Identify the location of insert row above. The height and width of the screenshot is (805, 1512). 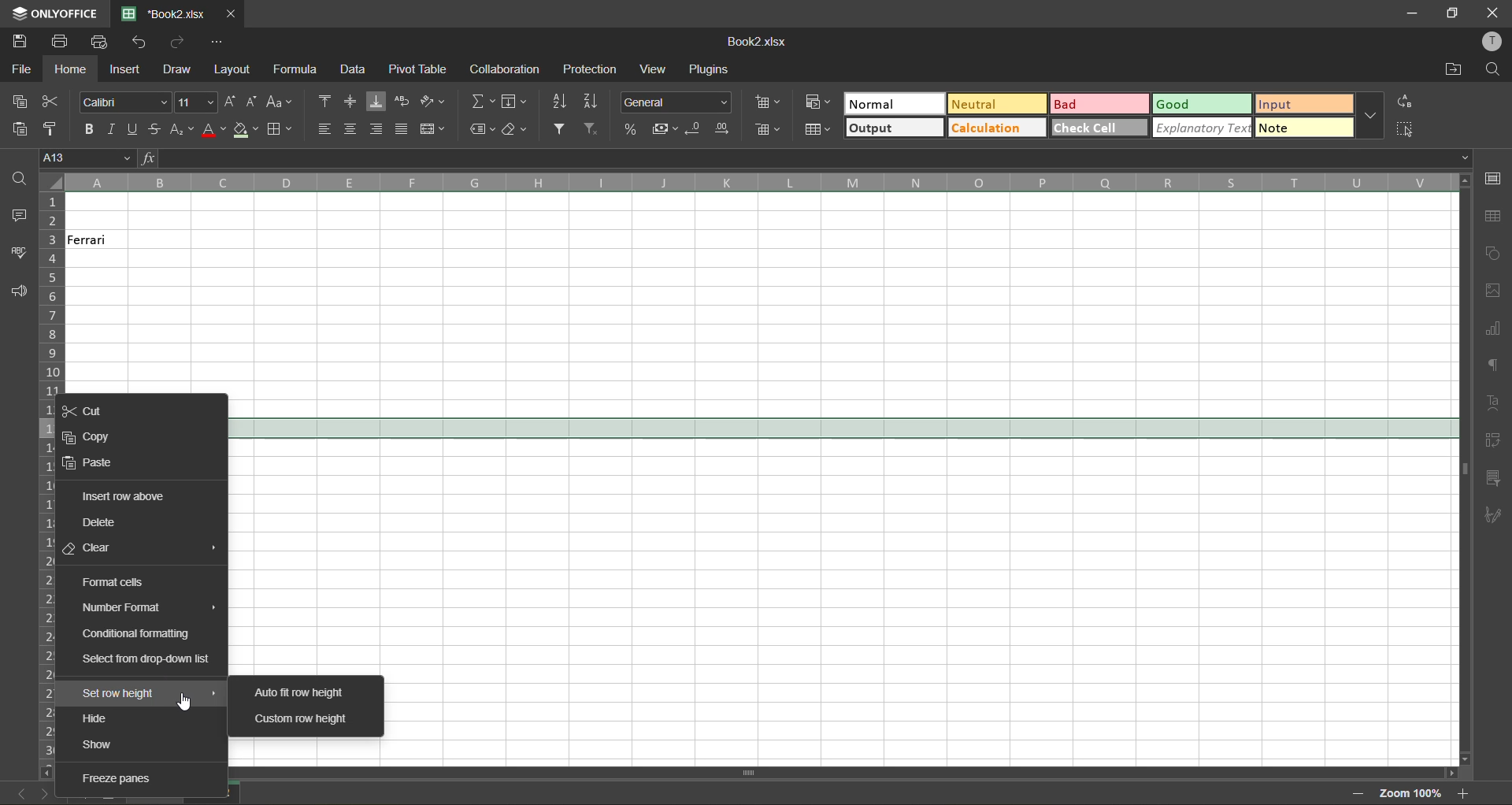
(123, 495).